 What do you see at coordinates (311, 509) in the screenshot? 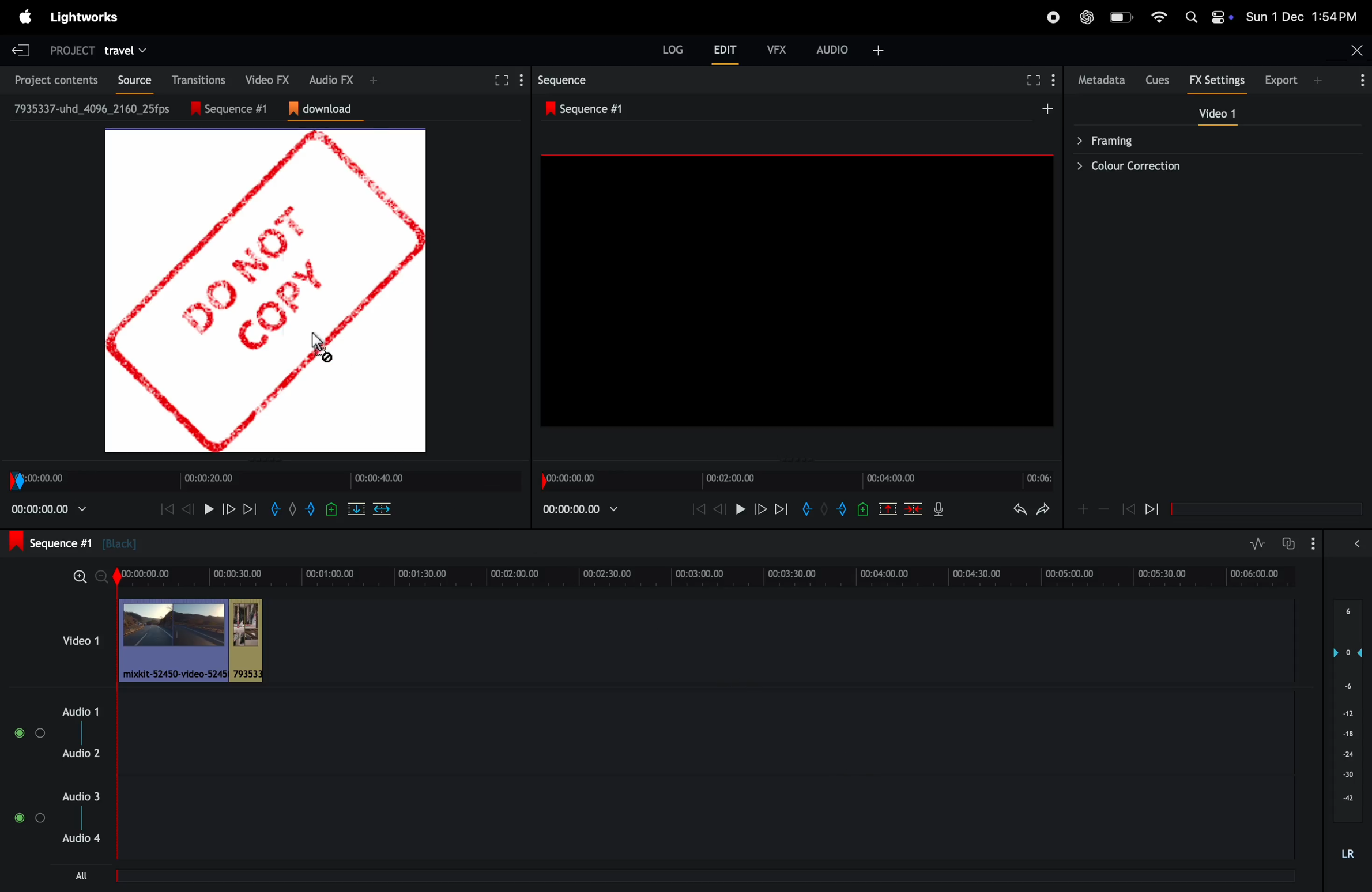
I see `add out` at bounding box center [311, 509].